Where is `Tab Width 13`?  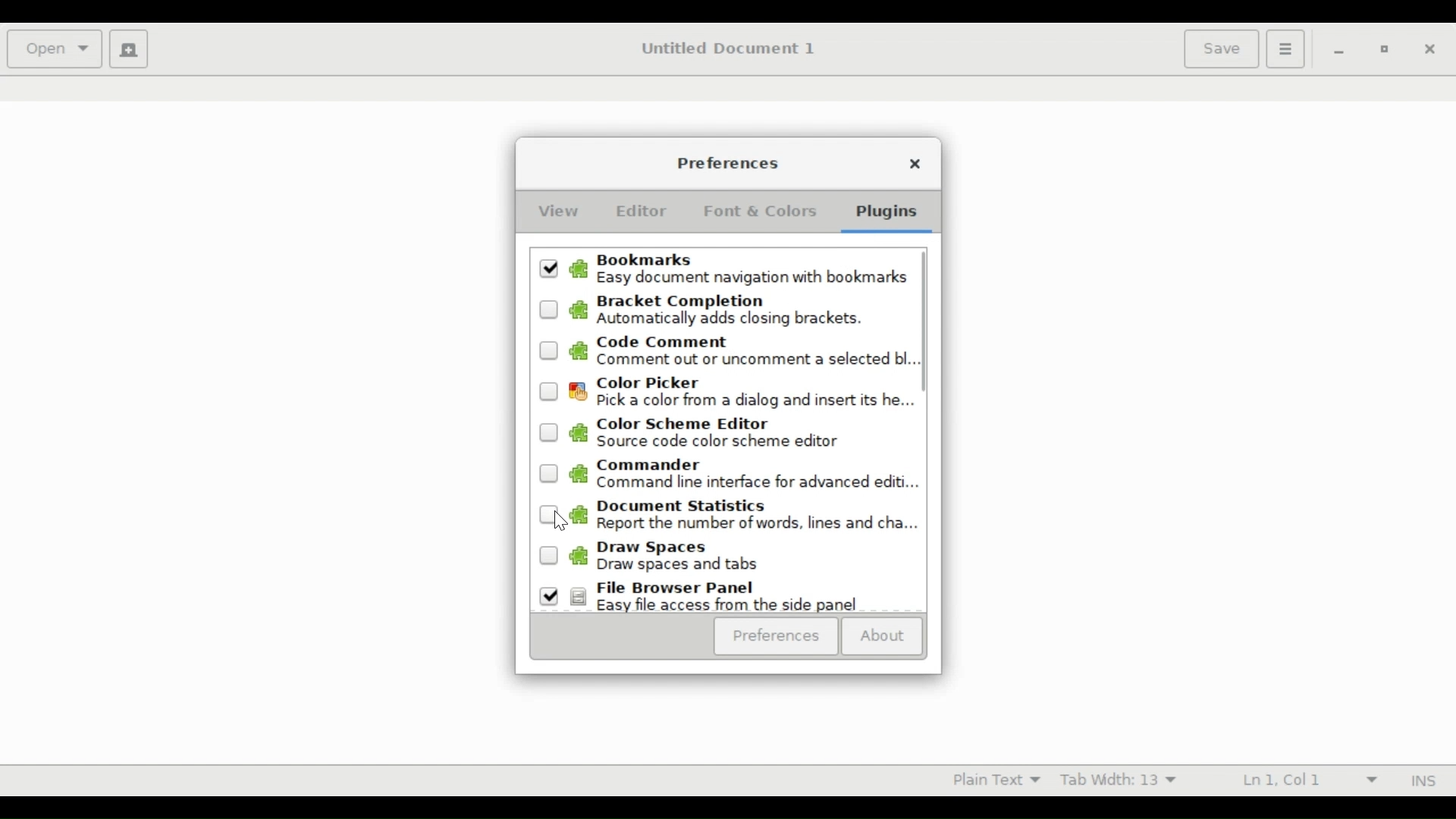
Tab Width 13 is located at coordinates (1125, 779).